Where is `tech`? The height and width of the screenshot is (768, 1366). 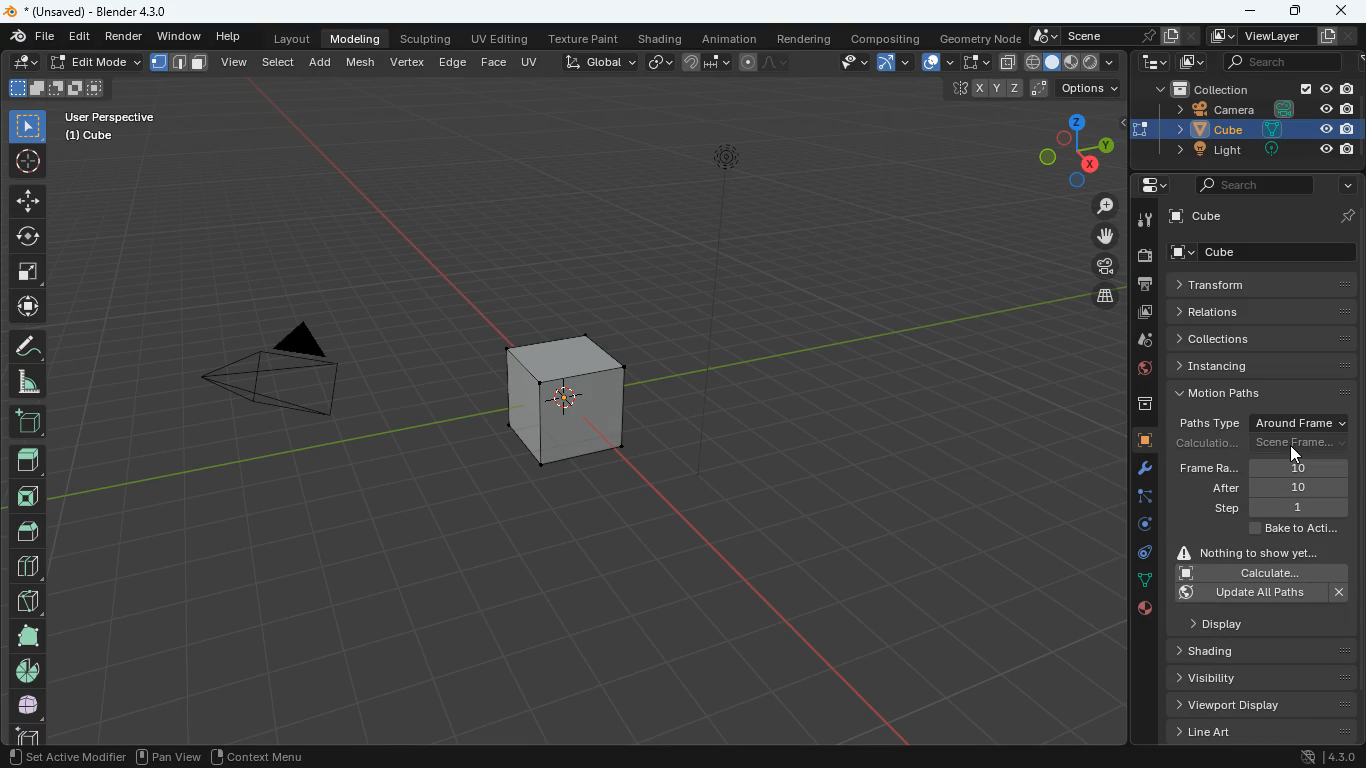 tech is located at coordinates (1153, 63).